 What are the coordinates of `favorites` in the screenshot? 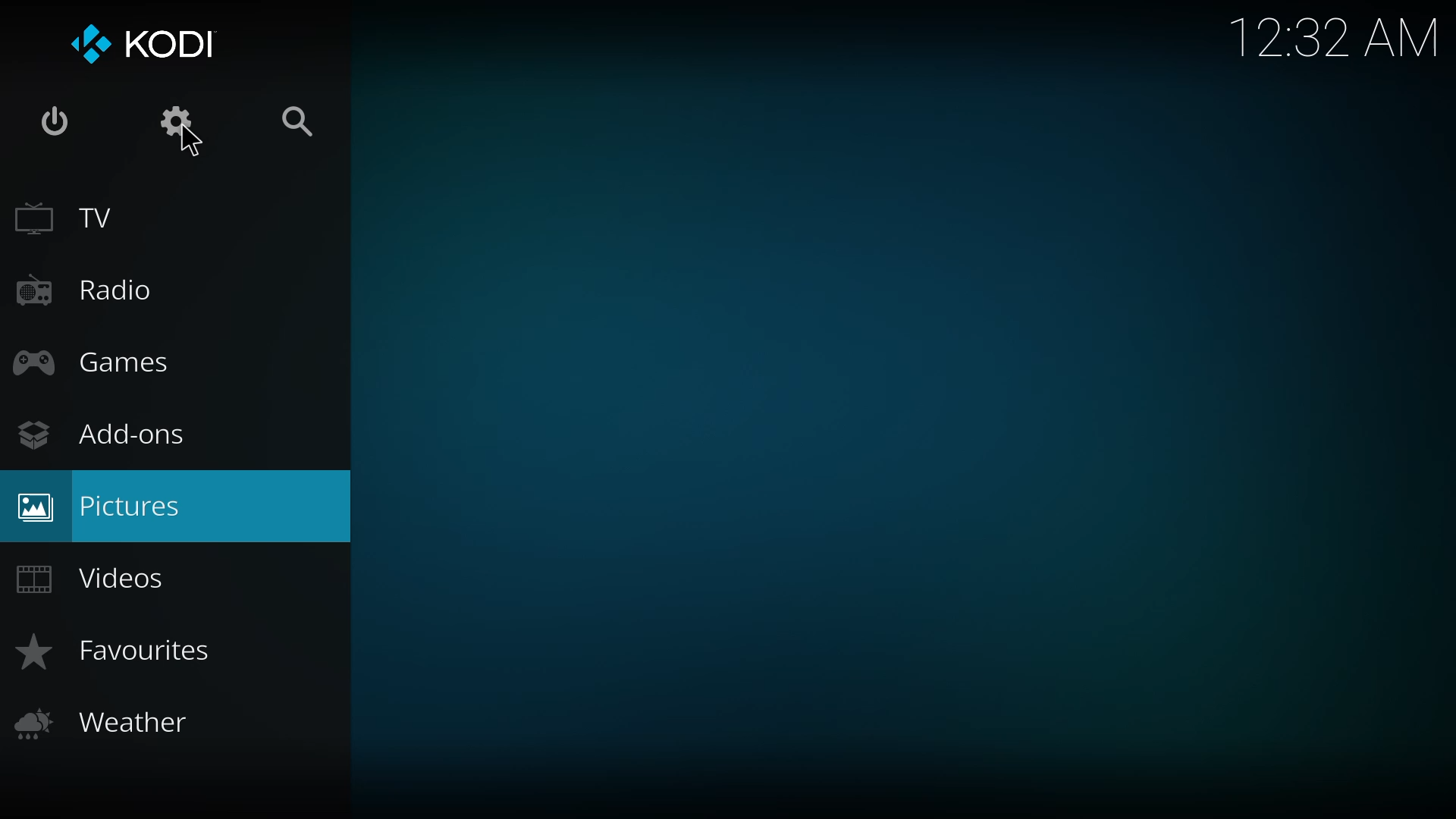 It's located at (121, 651).